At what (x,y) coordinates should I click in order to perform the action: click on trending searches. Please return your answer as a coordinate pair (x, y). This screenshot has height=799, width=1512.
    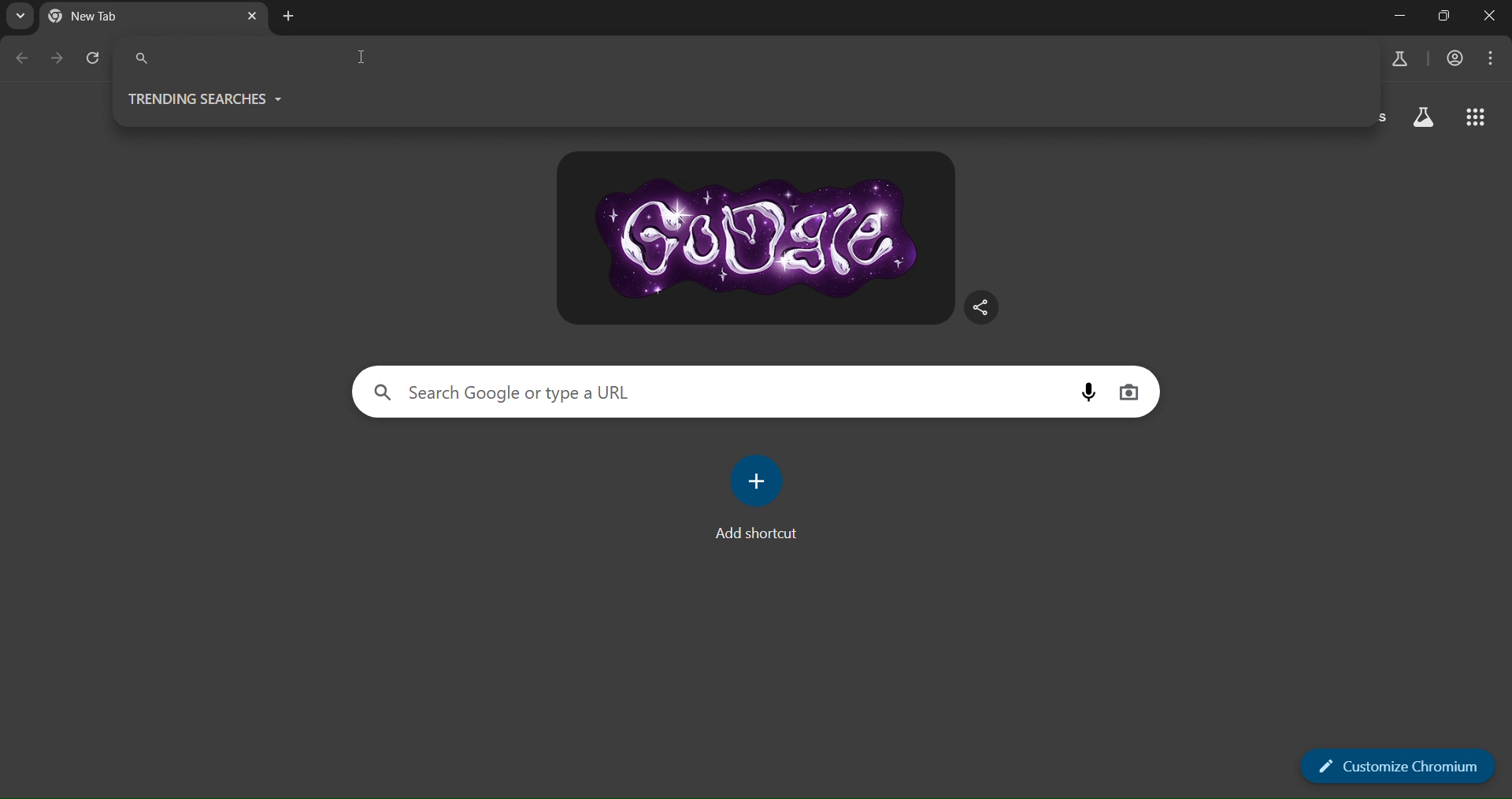
    Looking at the image, I should click on (204, 96).